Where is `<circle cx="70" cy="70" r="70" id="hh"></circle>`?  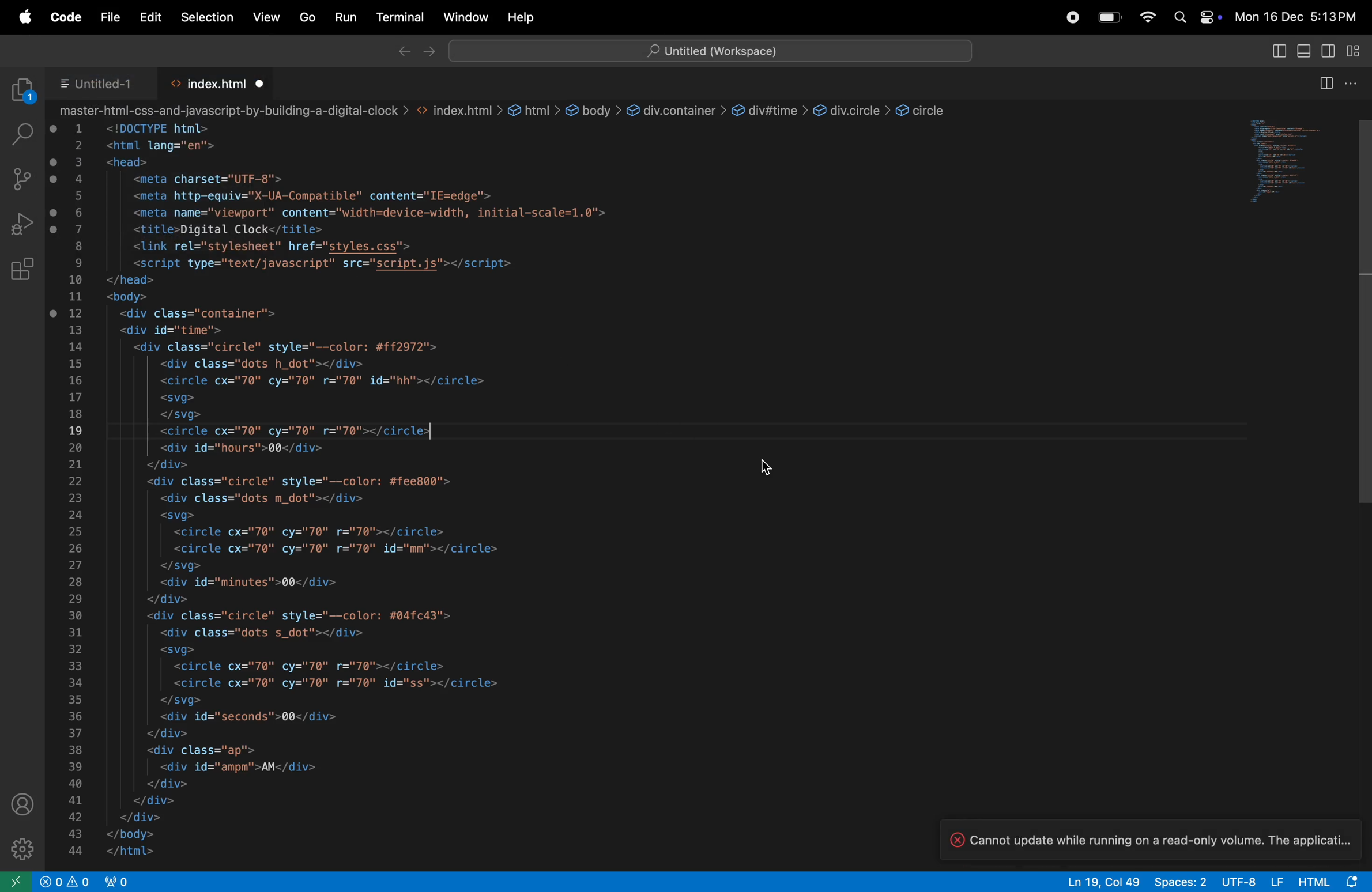
<circle cx="70" cy="70" r="70" id="hh"></circle> is located at coordinates (326, 380).